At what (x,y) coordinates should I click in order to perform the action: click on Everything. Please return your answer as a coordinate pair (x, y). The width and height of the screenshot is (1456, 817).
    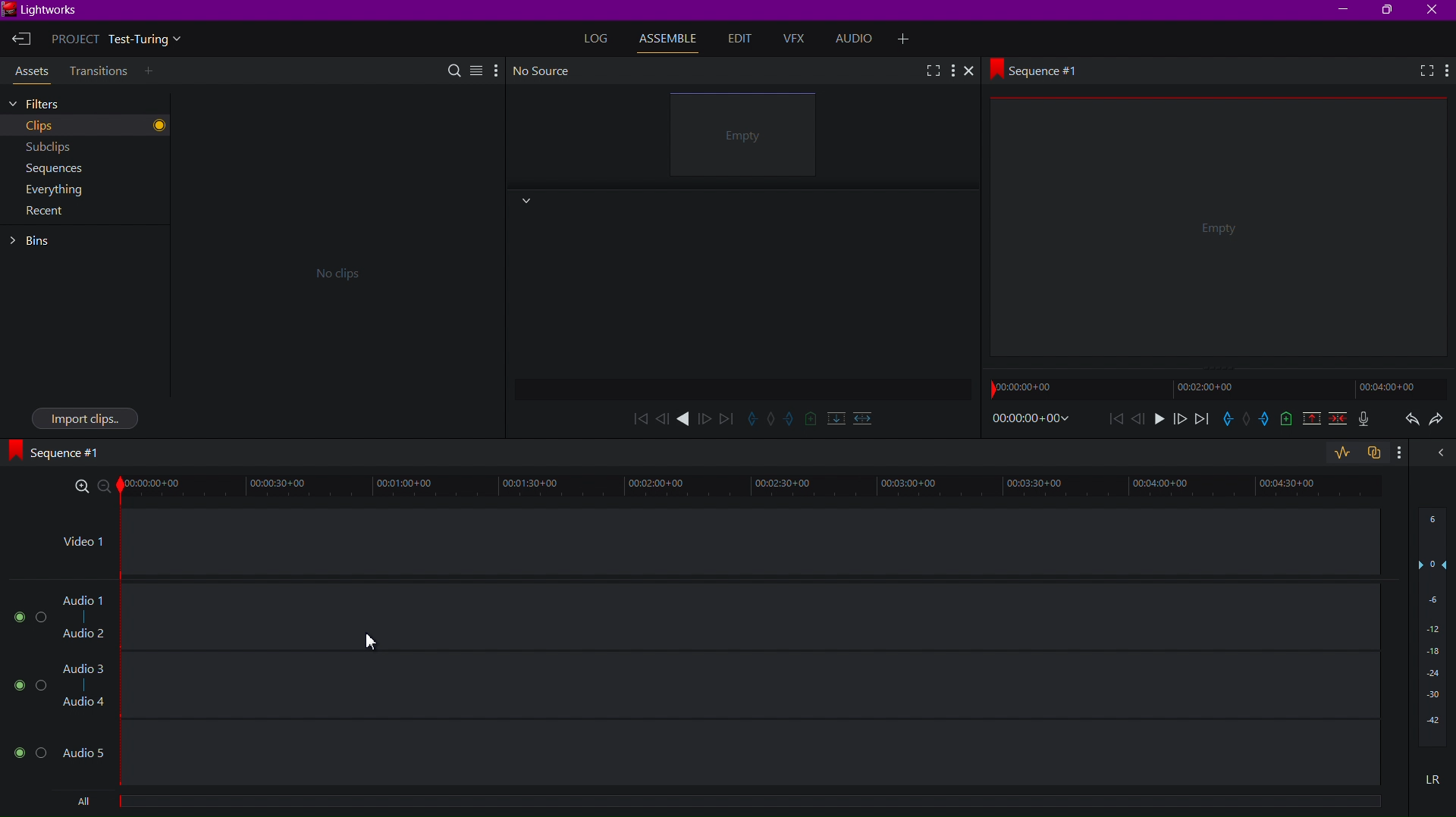
    Looking at the image, I should click on (52, 192).